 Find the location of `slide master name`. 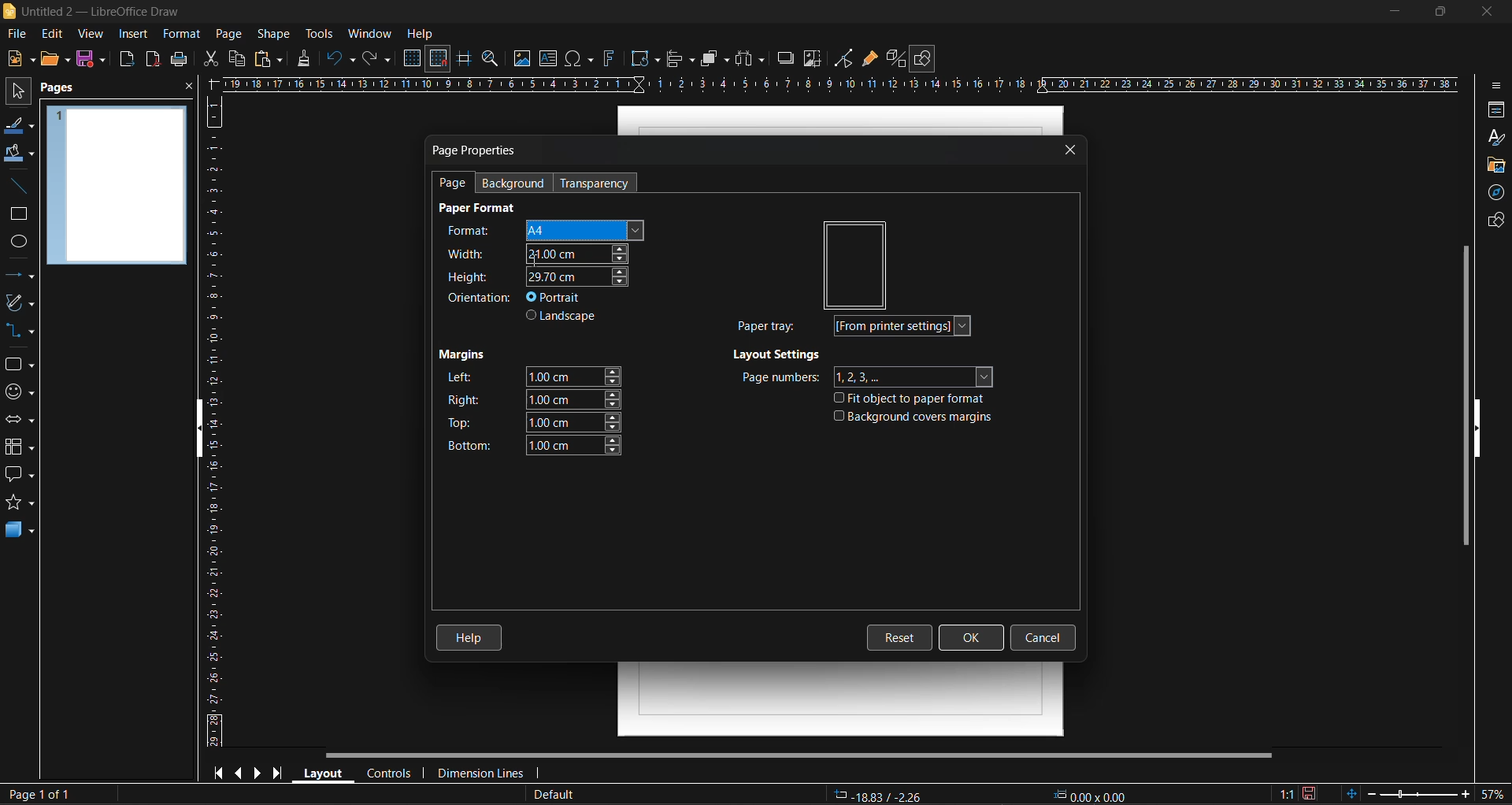

slide master name is located at coordinates (558, 795).